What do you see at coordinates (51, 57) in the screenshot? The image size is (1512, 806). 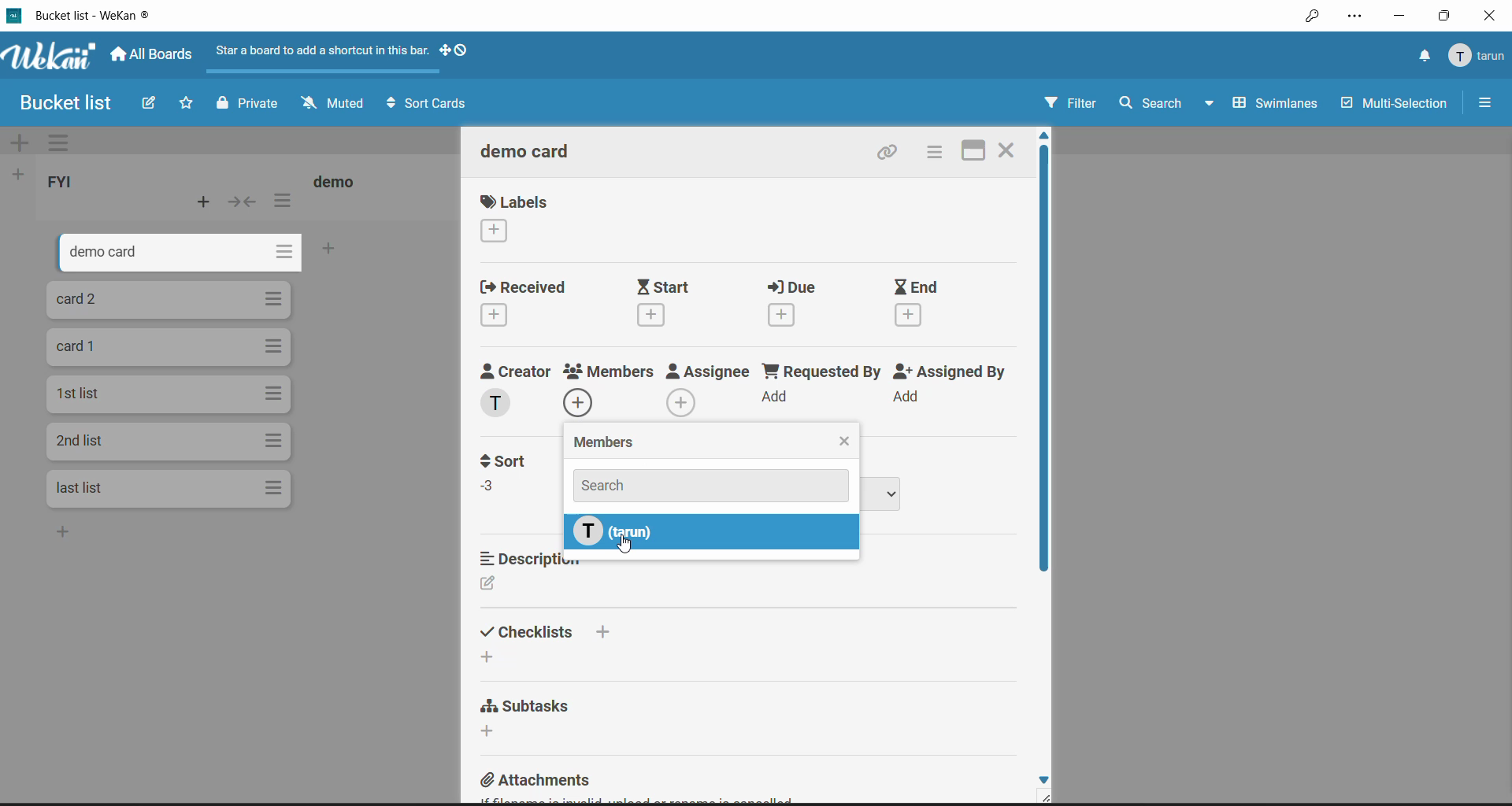 I see `app name and logo` at bounding box center [51, 57].